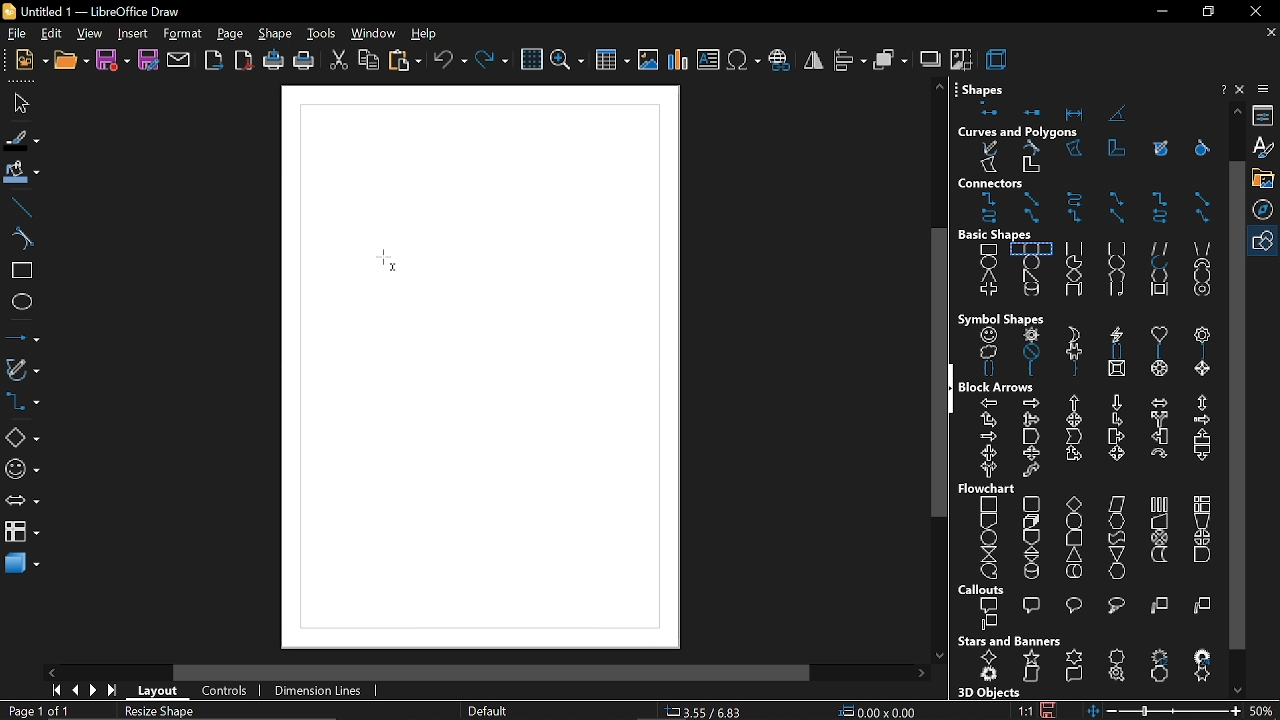 The image size is (1280, 720). Describe the element at coordinates (1091, 159) in the screenshot. I see `curves and polygons` at that location.